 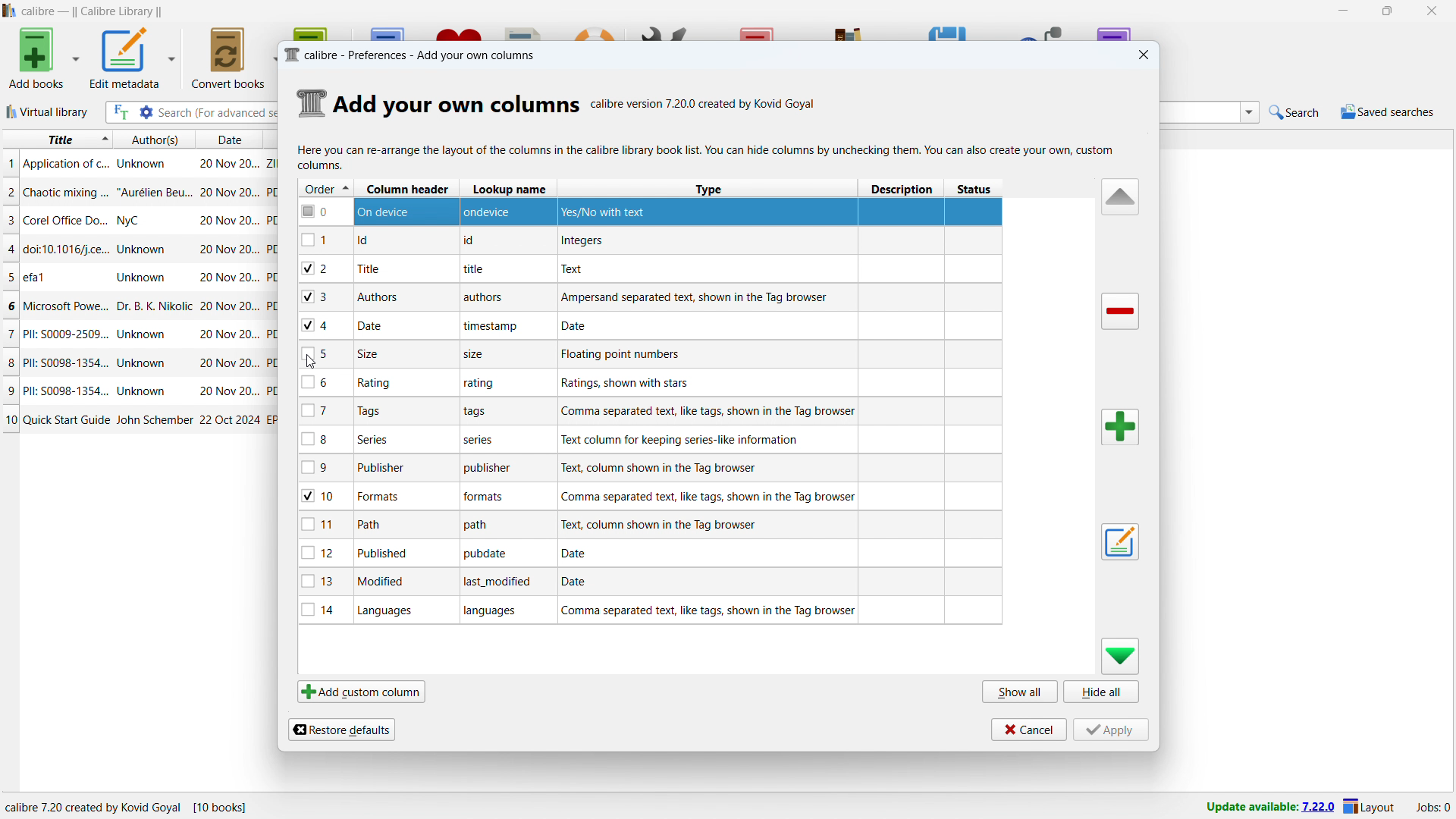 I want to click on author, so click(x=143, y=278).